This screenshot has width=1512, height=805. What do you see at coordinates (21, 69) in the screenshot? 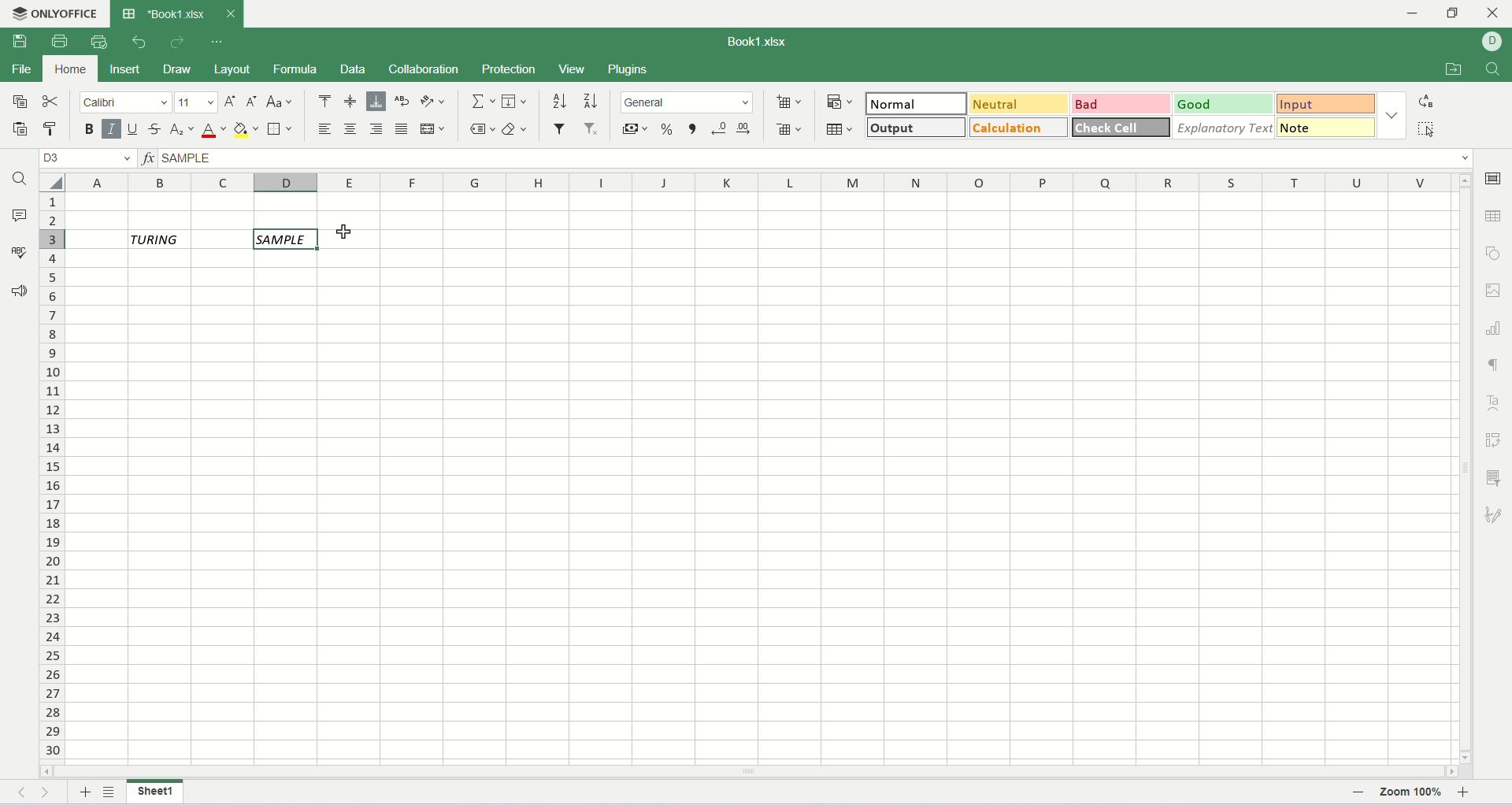
I see `file` at bounding box center [21, 69].